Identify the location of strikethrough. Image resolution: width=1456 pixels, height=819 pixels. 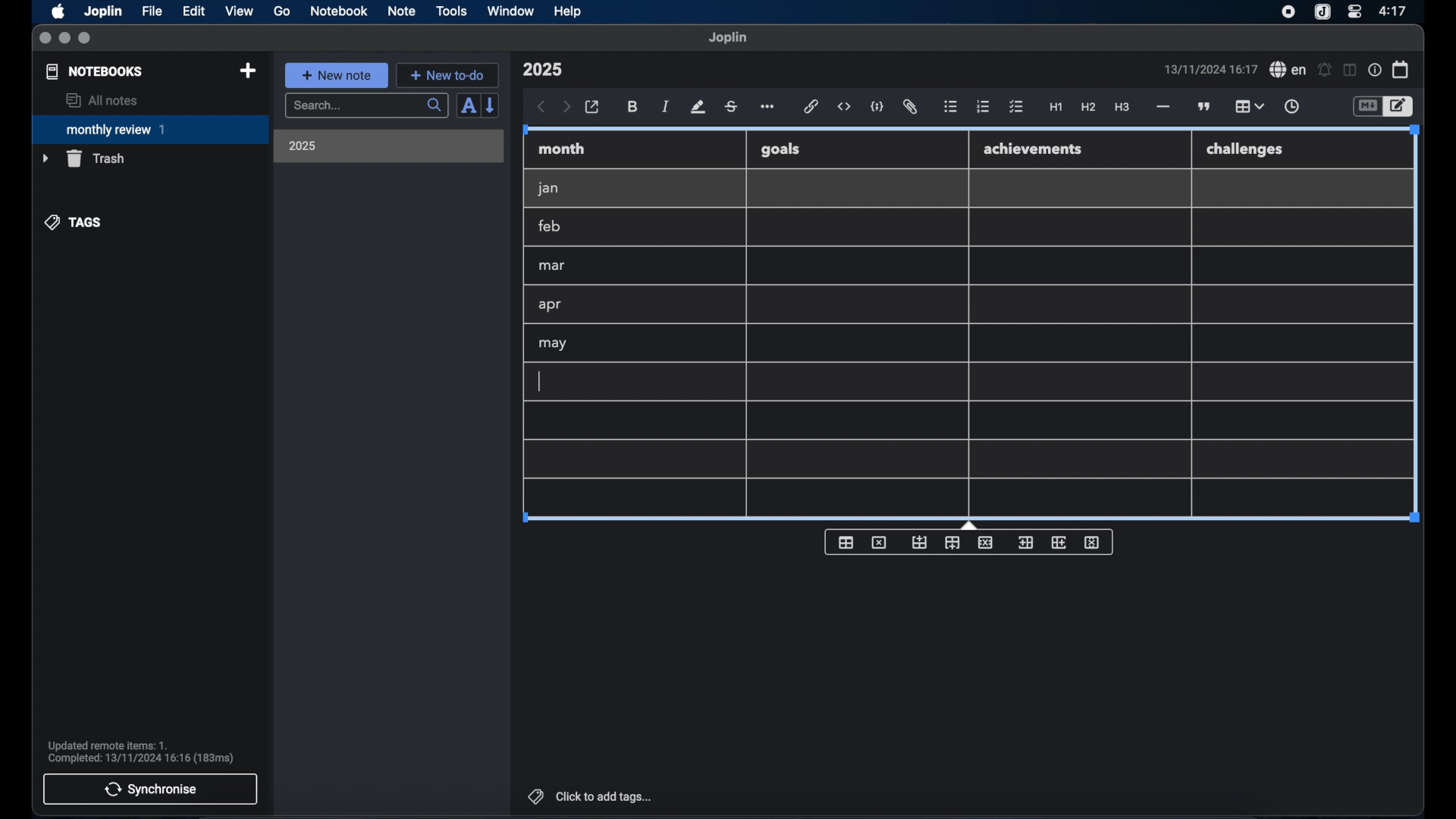
(730, 107).